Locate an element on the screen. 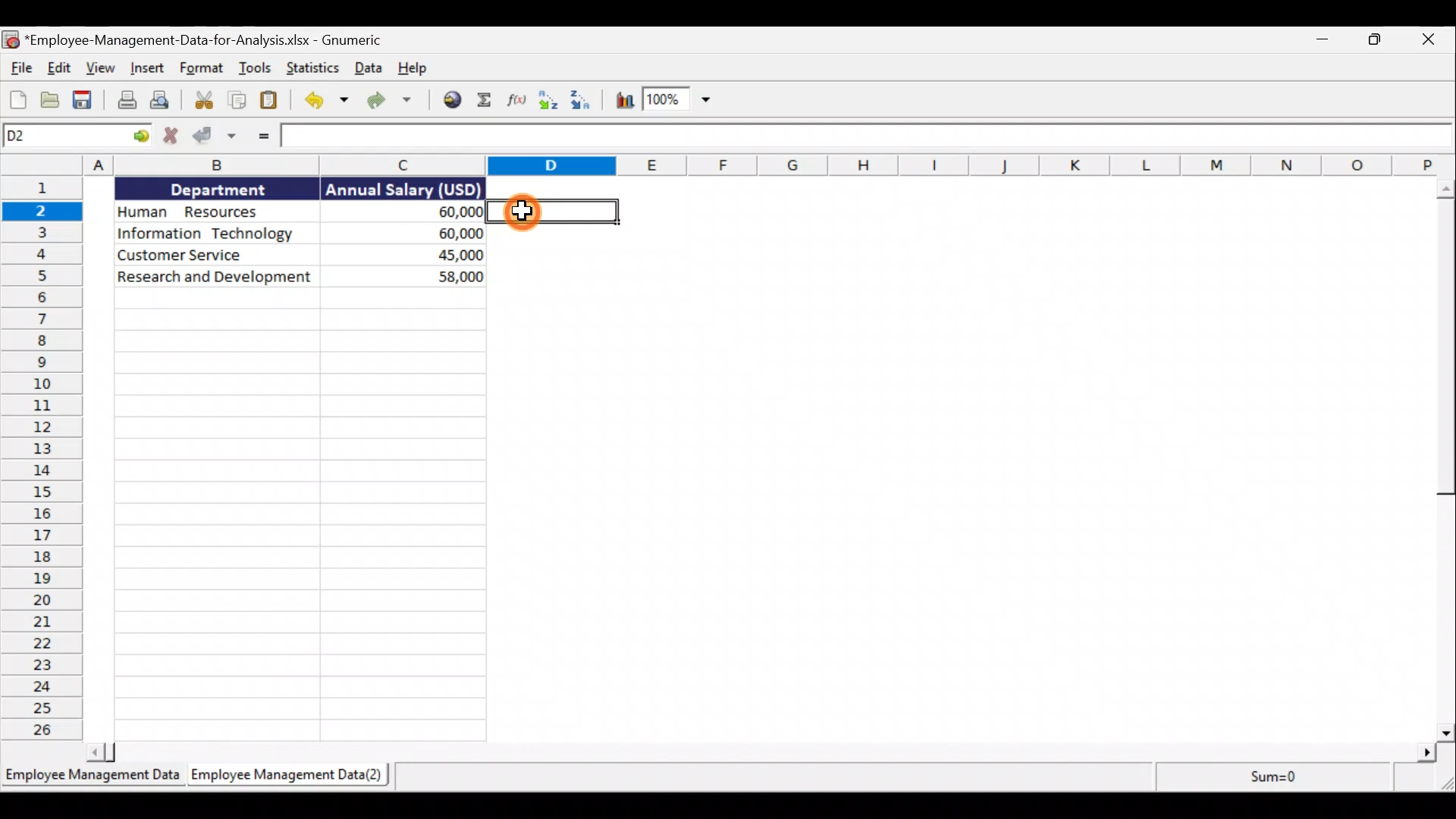 Image resolution: width=1456 pixels, height=819 pixels. Copy the selection is located at coordinates (238, 100).